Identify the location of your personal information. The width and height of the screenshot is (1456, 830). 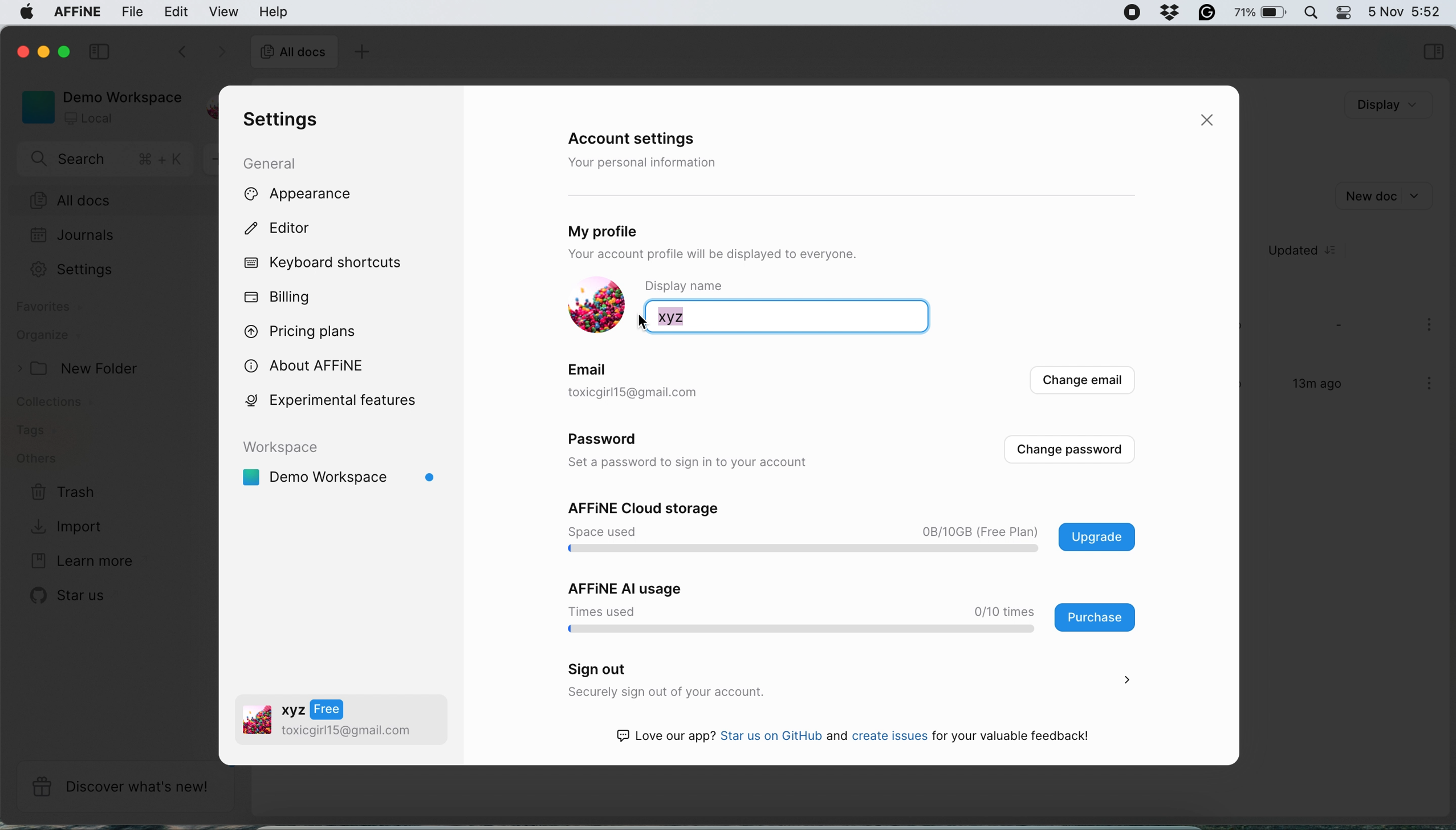
(646, 162).